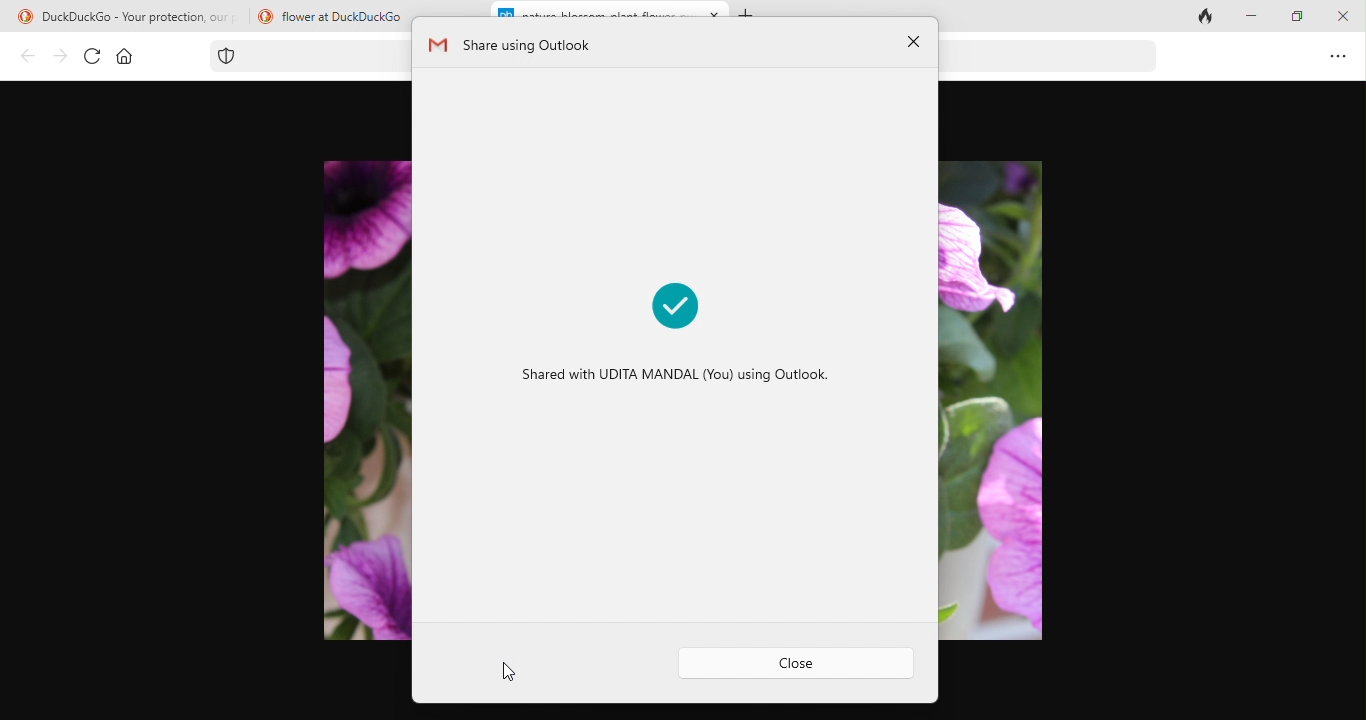 This screenshot has height=720, width=1366. What do you see at coordinates (57, 56) in the screenshot?
I see `forward` at bounding box center [57, 56].